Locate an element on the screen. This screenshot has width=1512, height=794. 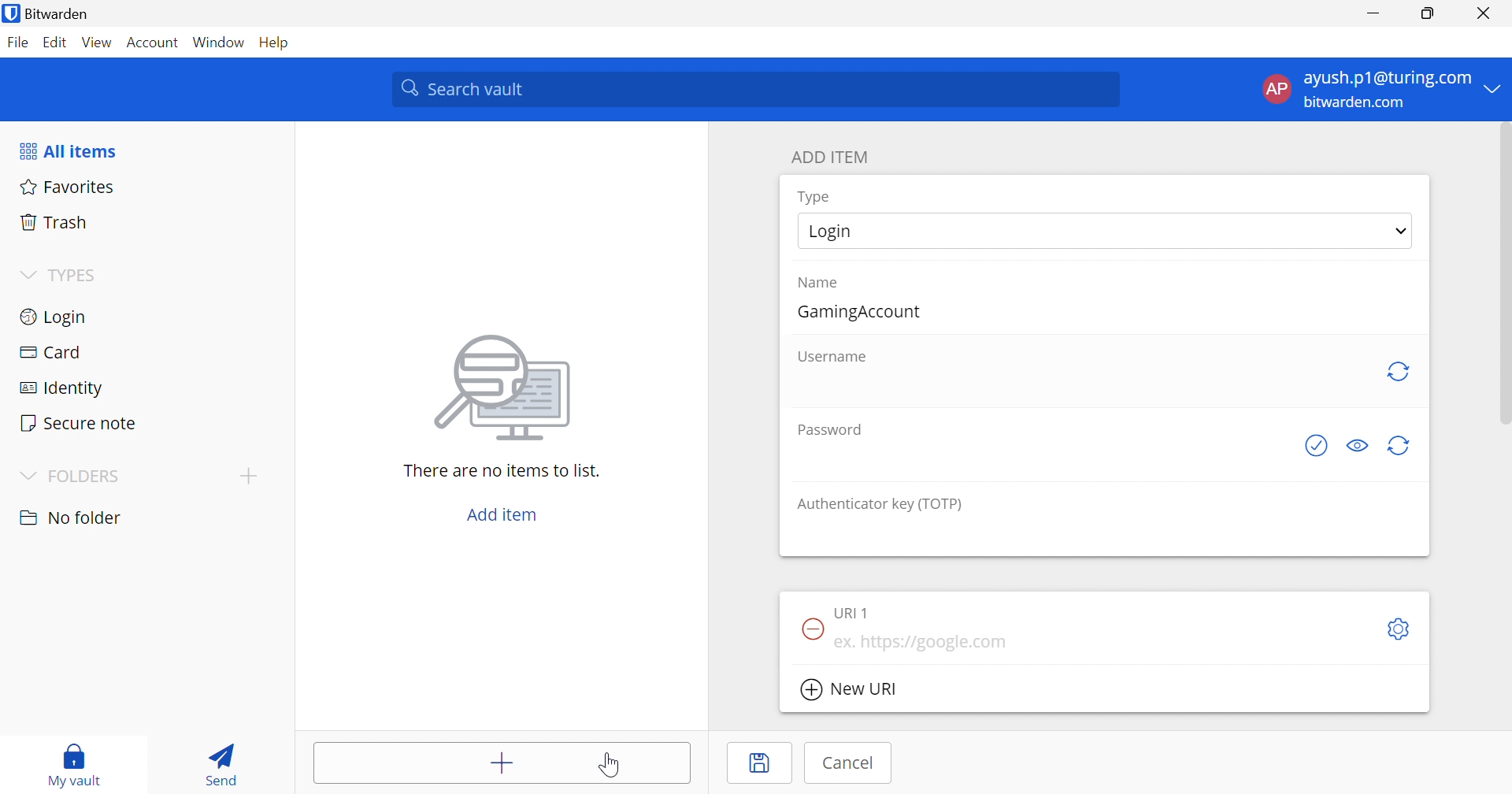
ADD ITEM is located at coordinates (834, 158).